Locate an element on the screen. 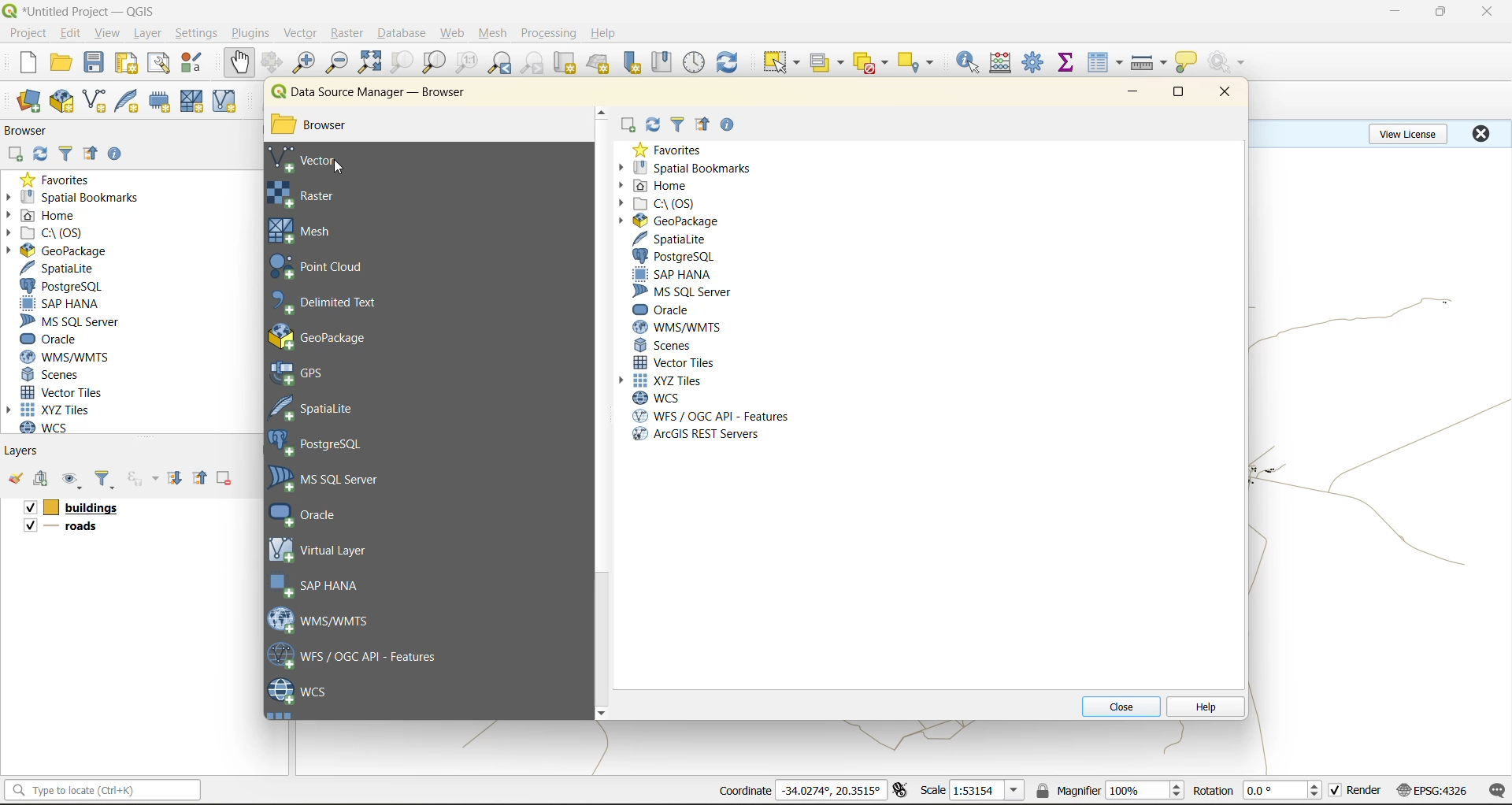 The image size is (1512, 805). calculator is located at coordinates (1006, 65).